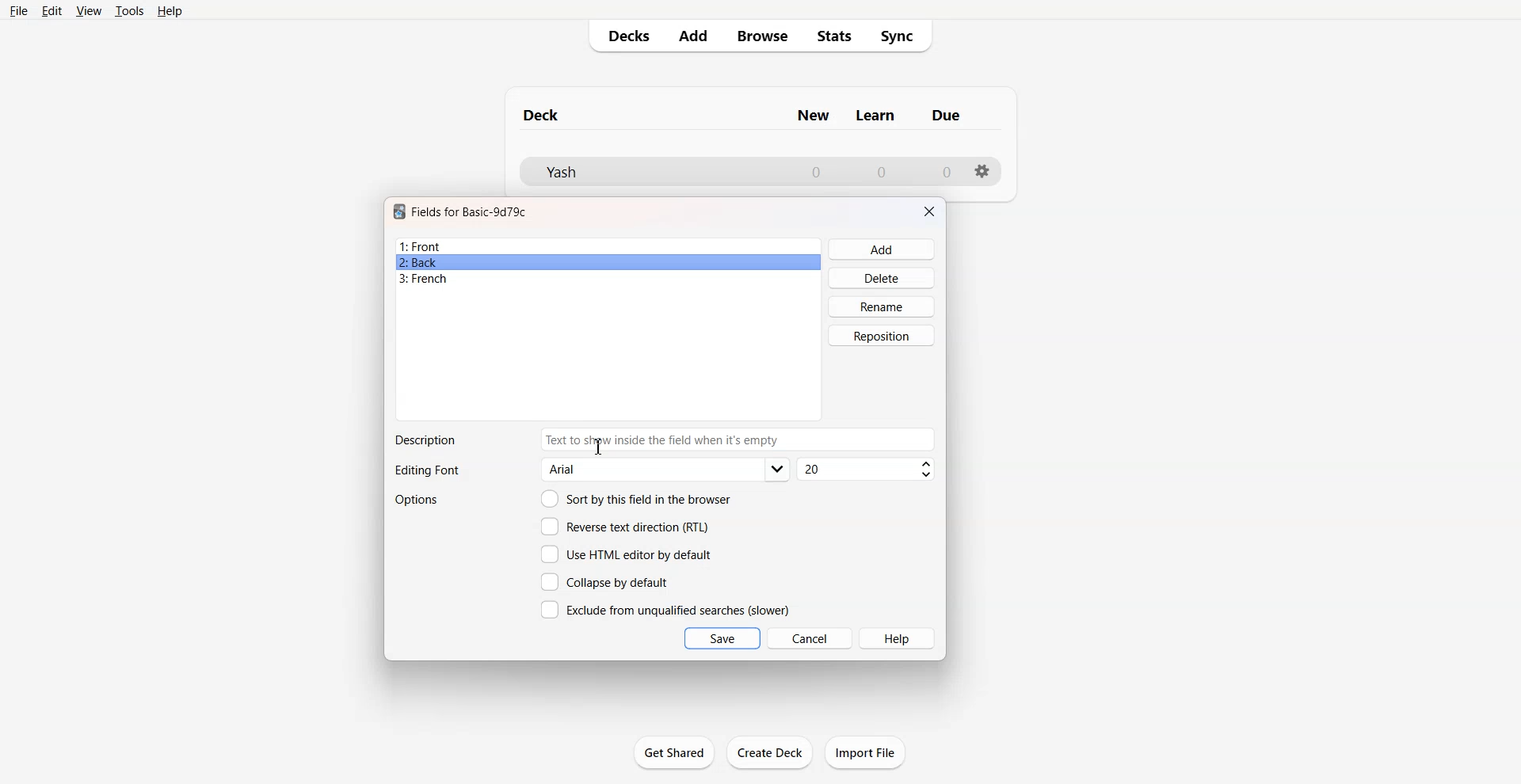  What do you see at coordinates (608, 262) in the screenshot?
I see `Back` at bounding box center [608, 262].